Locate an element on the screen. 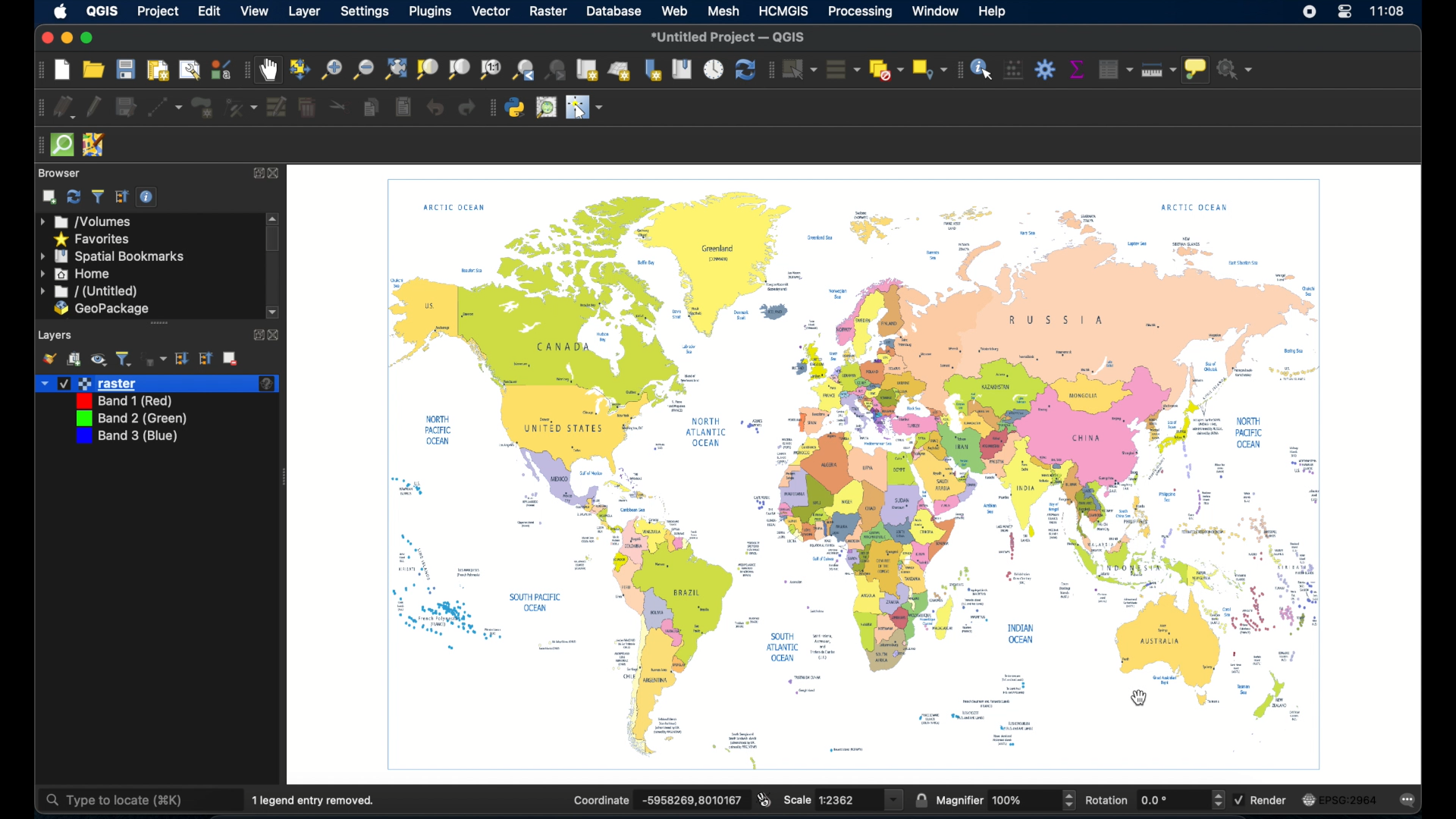 Image resolution: width=1456 pixels, height=819 pixels. world map png is located at coordinates (862, 476).